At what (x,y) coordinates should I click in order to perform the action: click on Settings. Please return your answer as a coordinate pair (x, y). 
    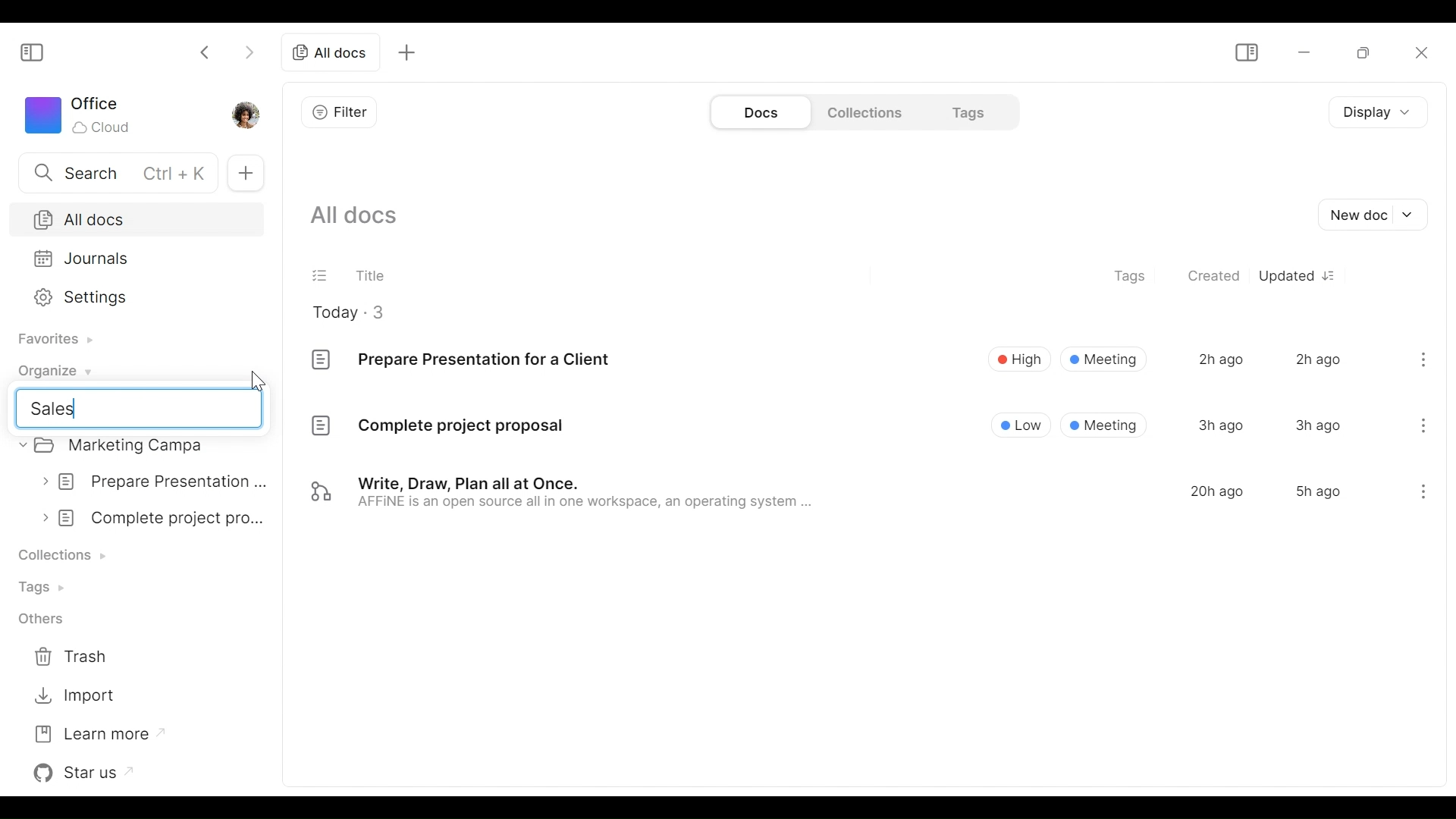
    Looking at the image, I should click on (133, 296).